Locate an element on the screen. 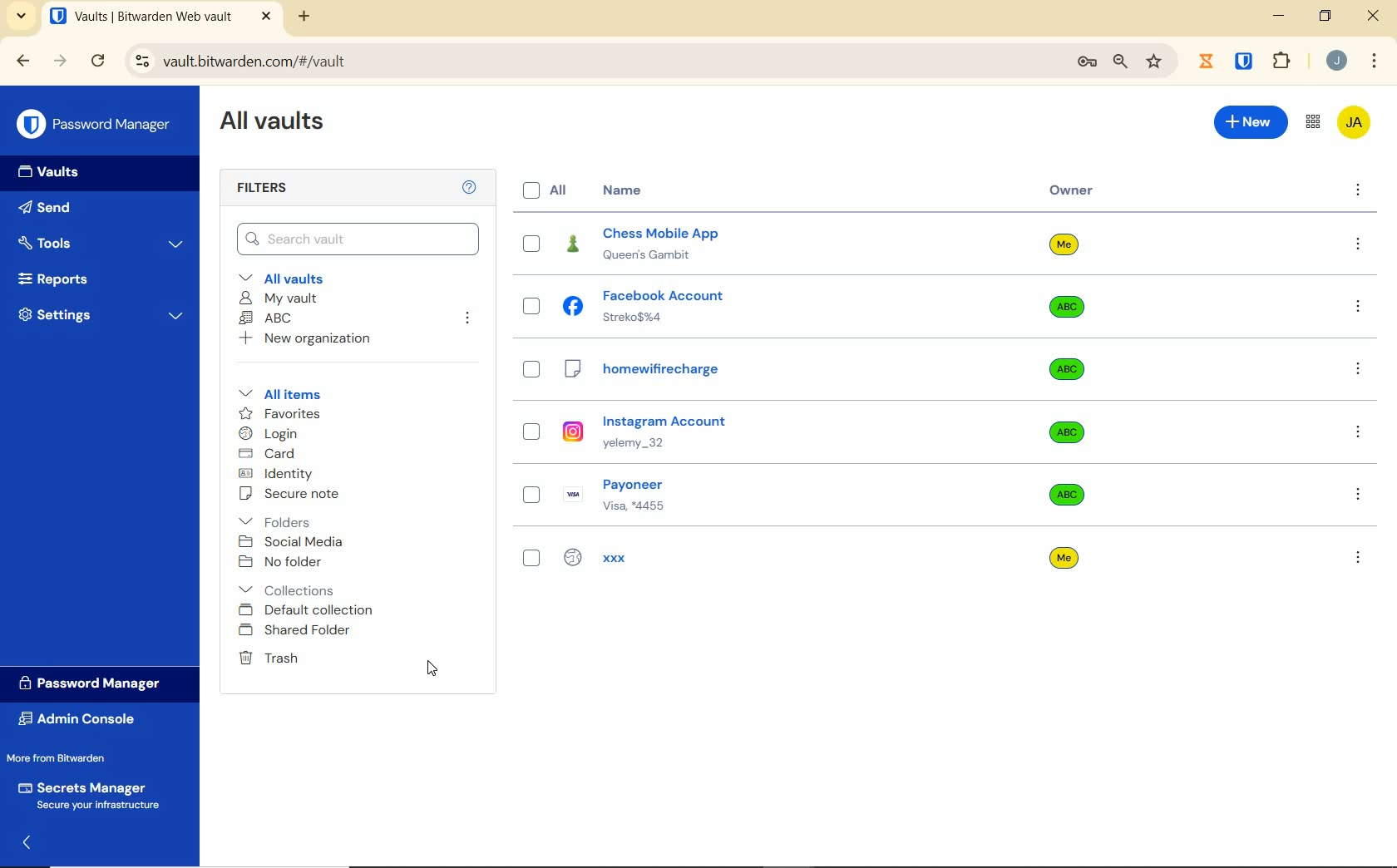 This screenshot has width=1397, height=868. cursor is located at coordinates (432, 668).